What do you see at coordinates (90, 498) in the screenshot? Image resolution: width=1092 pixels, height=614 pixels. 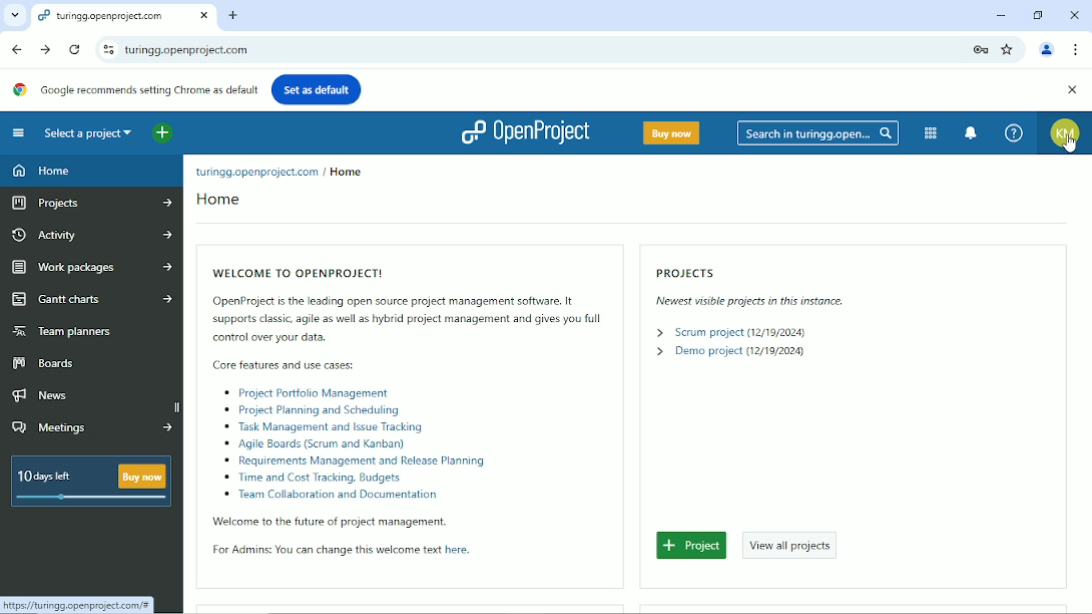 I see `slide bar displaying number of days left` at bounding box center [90, 498].